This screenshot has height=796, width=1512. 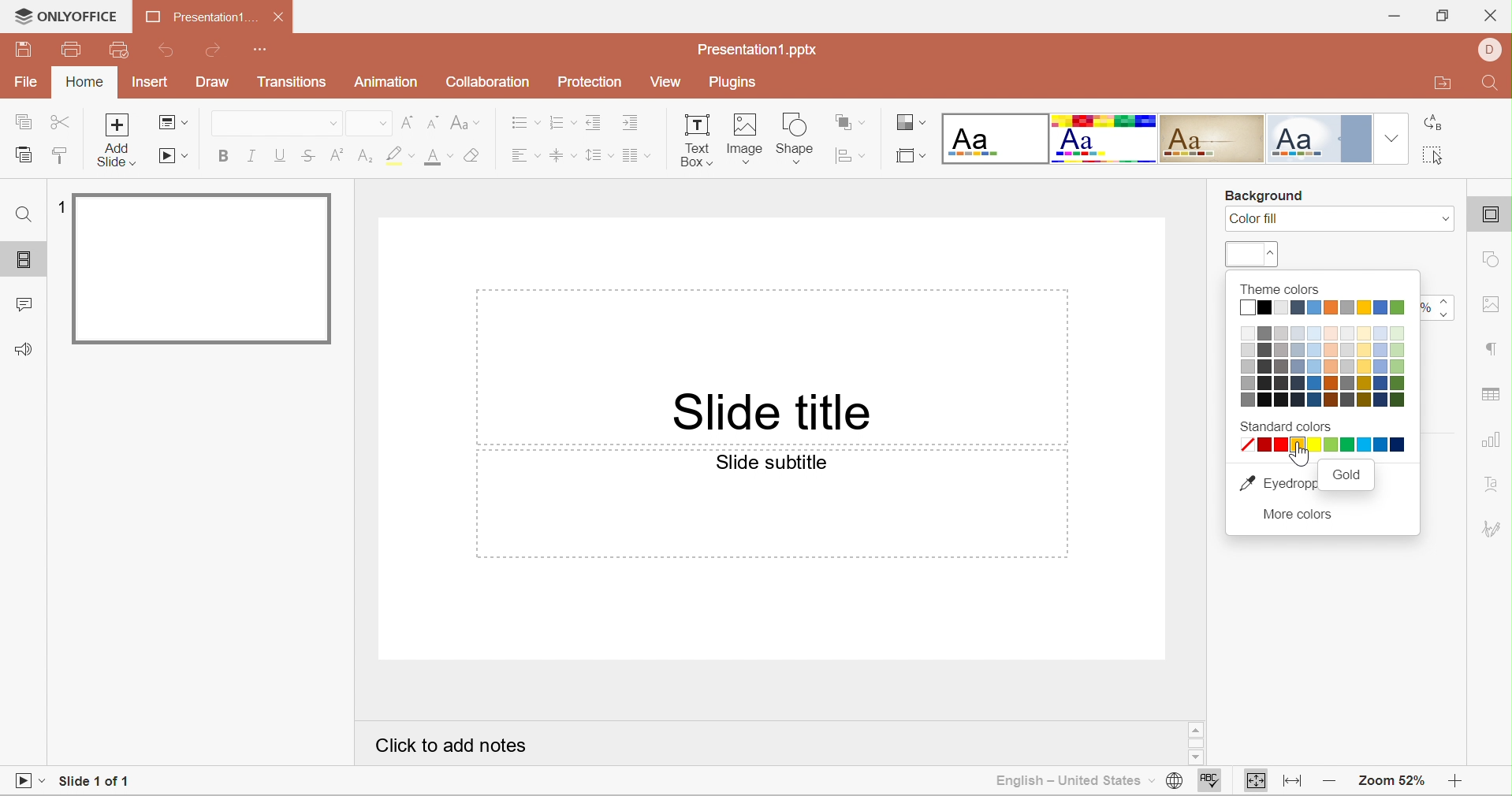 What do you see at coordinates (773, 416) in the screenshot?
I see `Slide Title` at bounding box center [773, 416].